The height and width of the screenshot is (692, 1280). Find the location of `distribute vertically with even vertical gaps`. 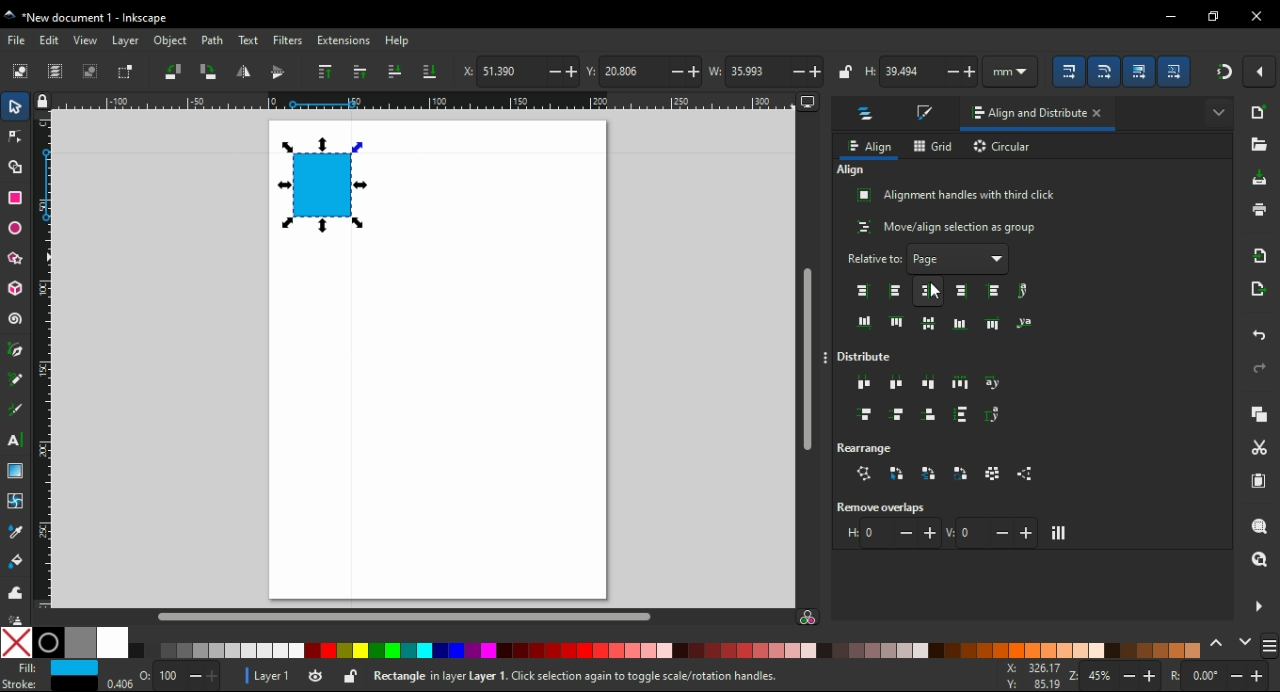

distribute vertically with even vertical gaps is located at coordinates (962, 417).